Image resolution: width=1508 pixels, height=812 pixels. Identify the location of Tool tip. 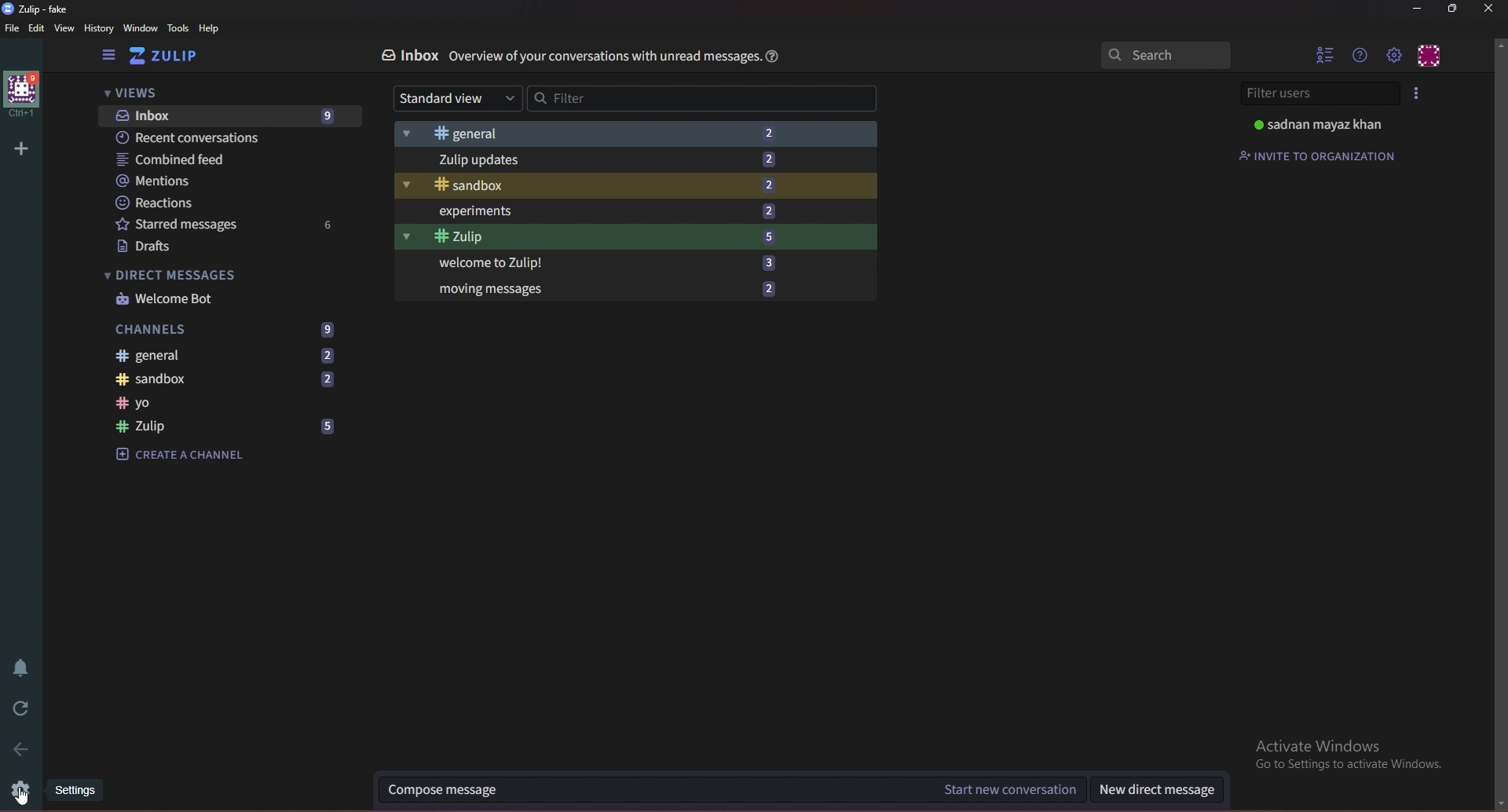
(78, 793).